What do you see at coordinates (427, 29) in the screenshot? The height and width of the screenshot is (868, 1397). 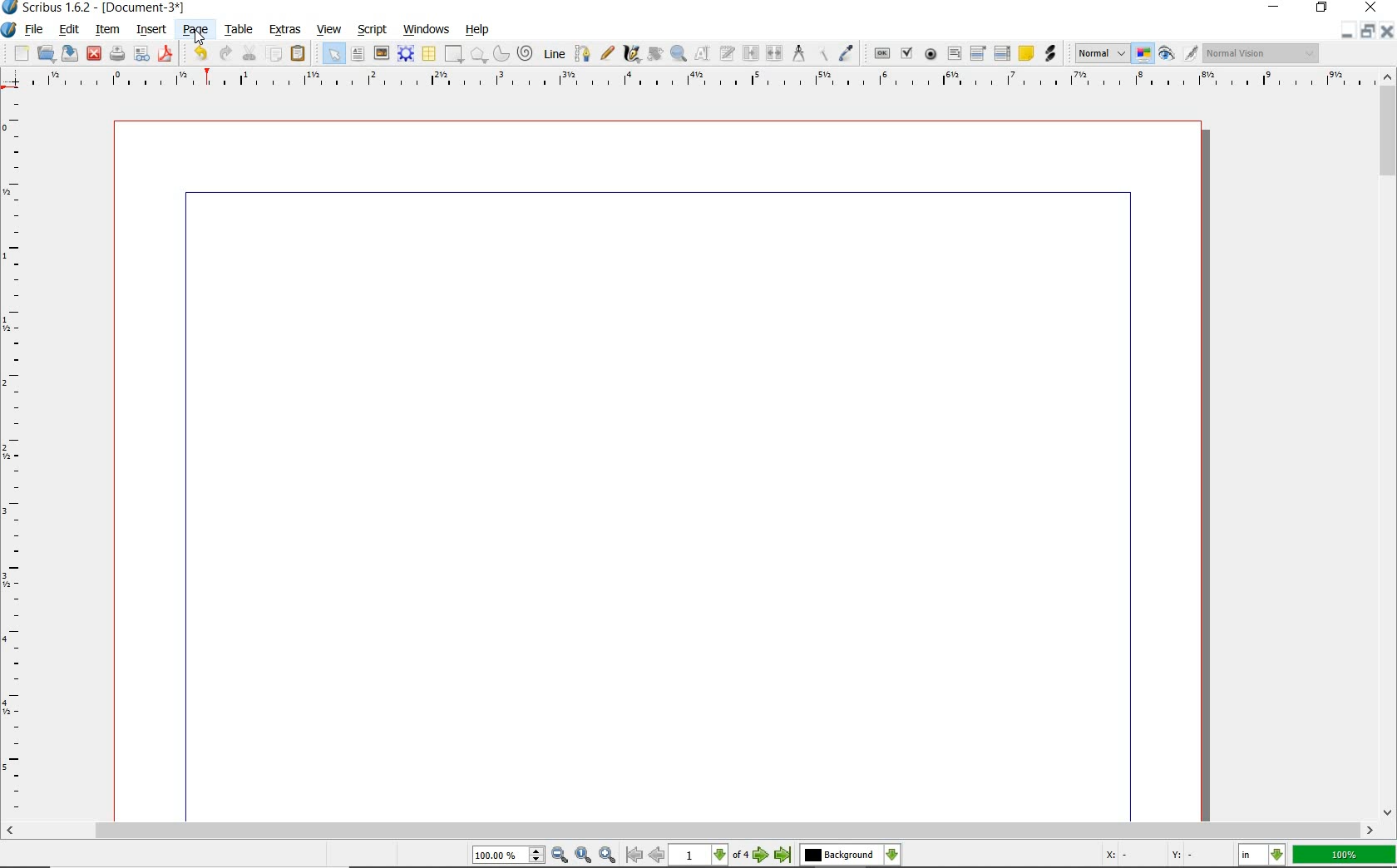 I see `windows` at bounding box center [427, 29].